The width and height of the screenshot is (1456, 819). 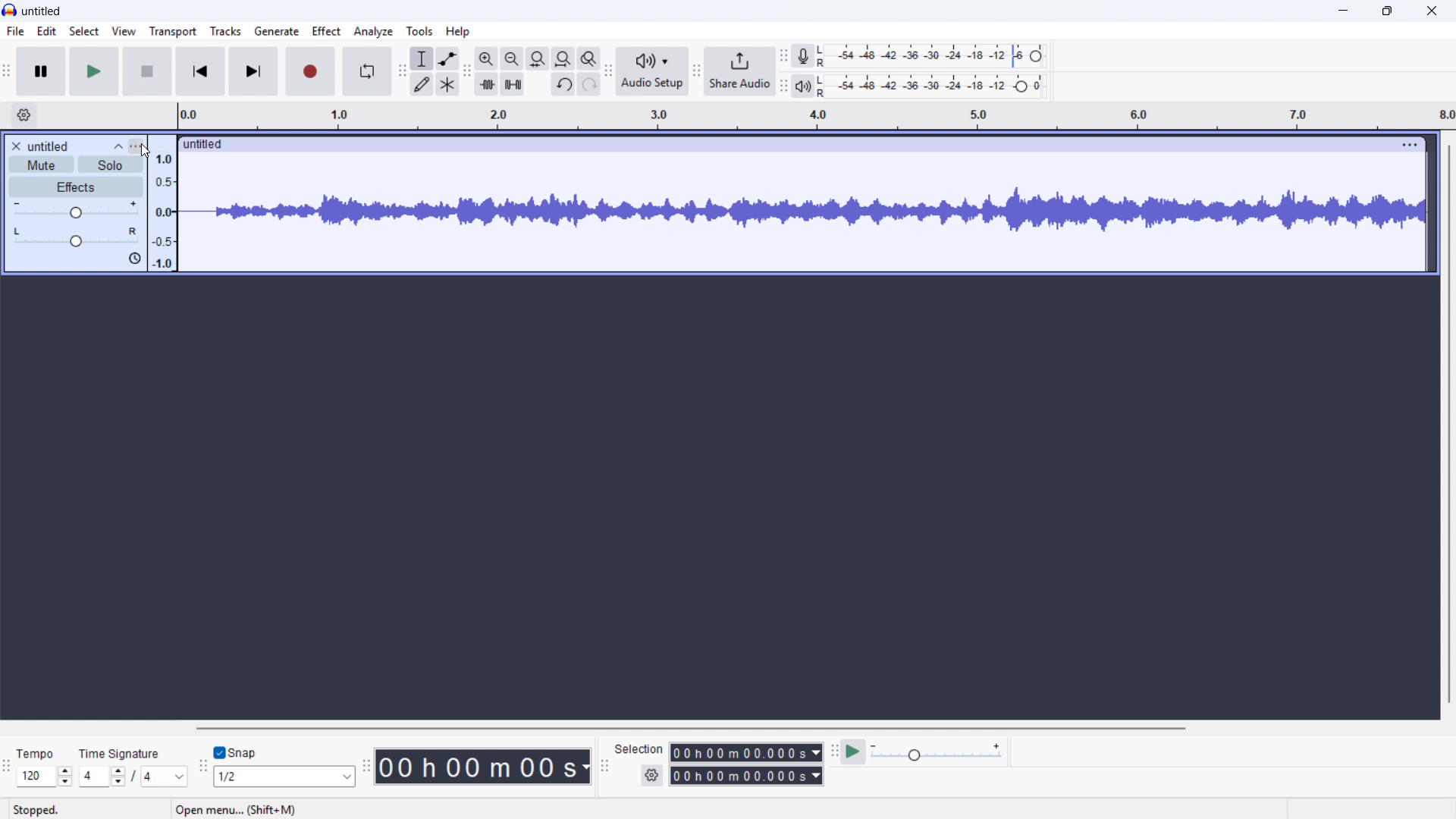 I want to click on Audio setup toolbar , so click(x=607, y=72).